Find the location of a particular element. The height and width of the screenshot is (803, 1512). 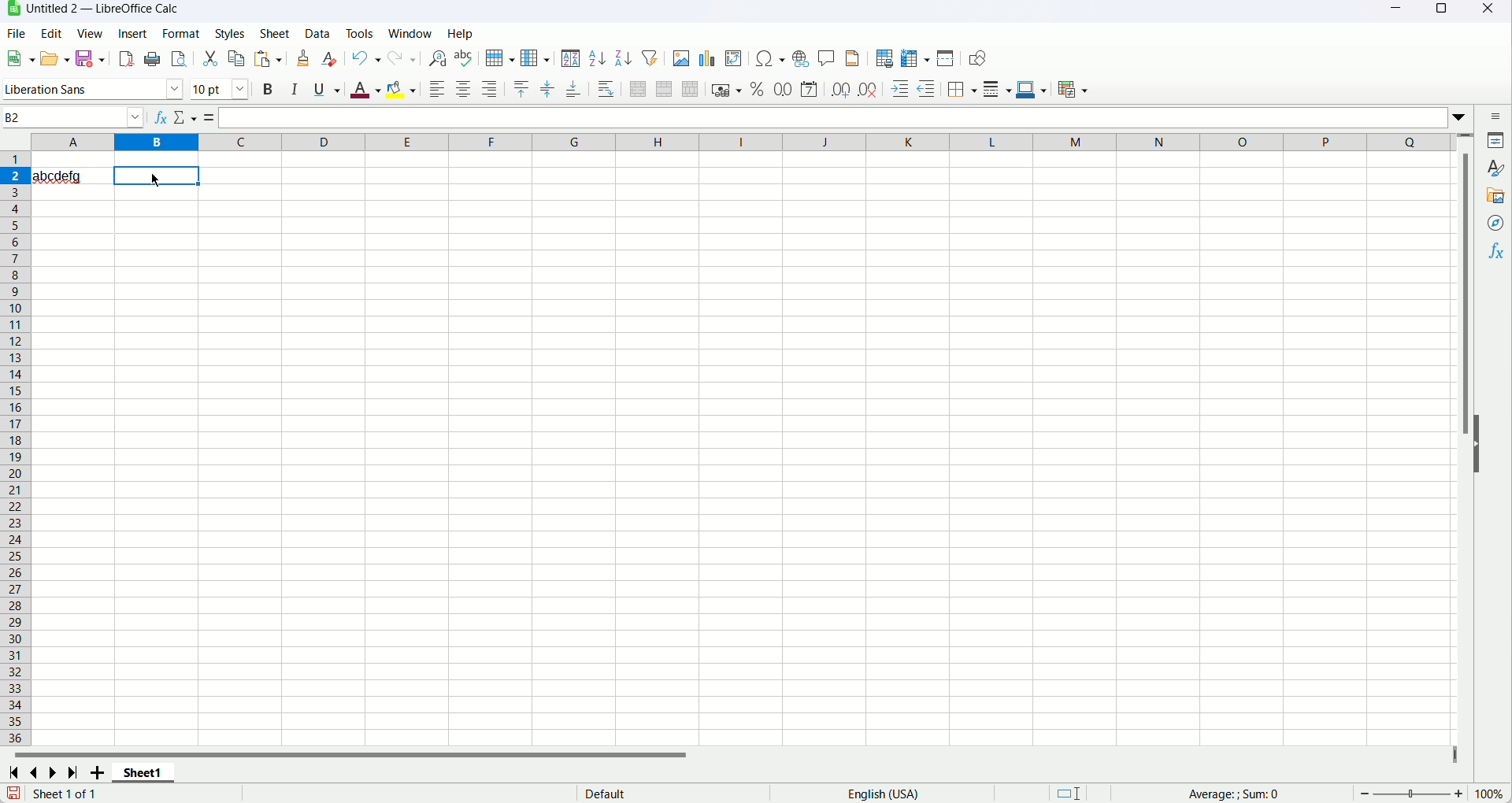

freeze rows and colmn is located at coordinates (913, 58).